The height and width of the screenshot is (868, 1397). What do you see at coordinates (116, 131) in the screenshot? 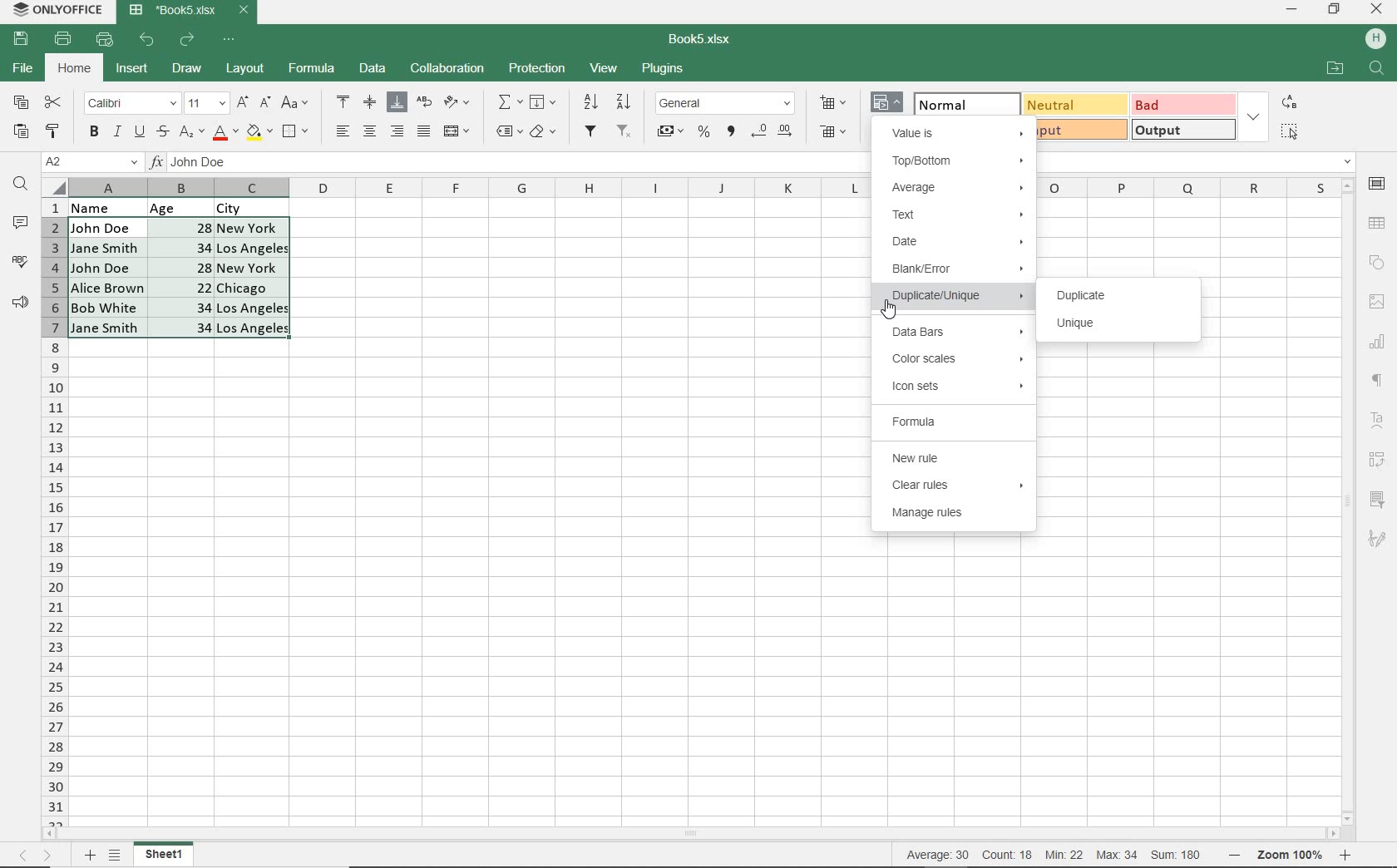
I see `ITALIC` at bounding box center [116, 131].